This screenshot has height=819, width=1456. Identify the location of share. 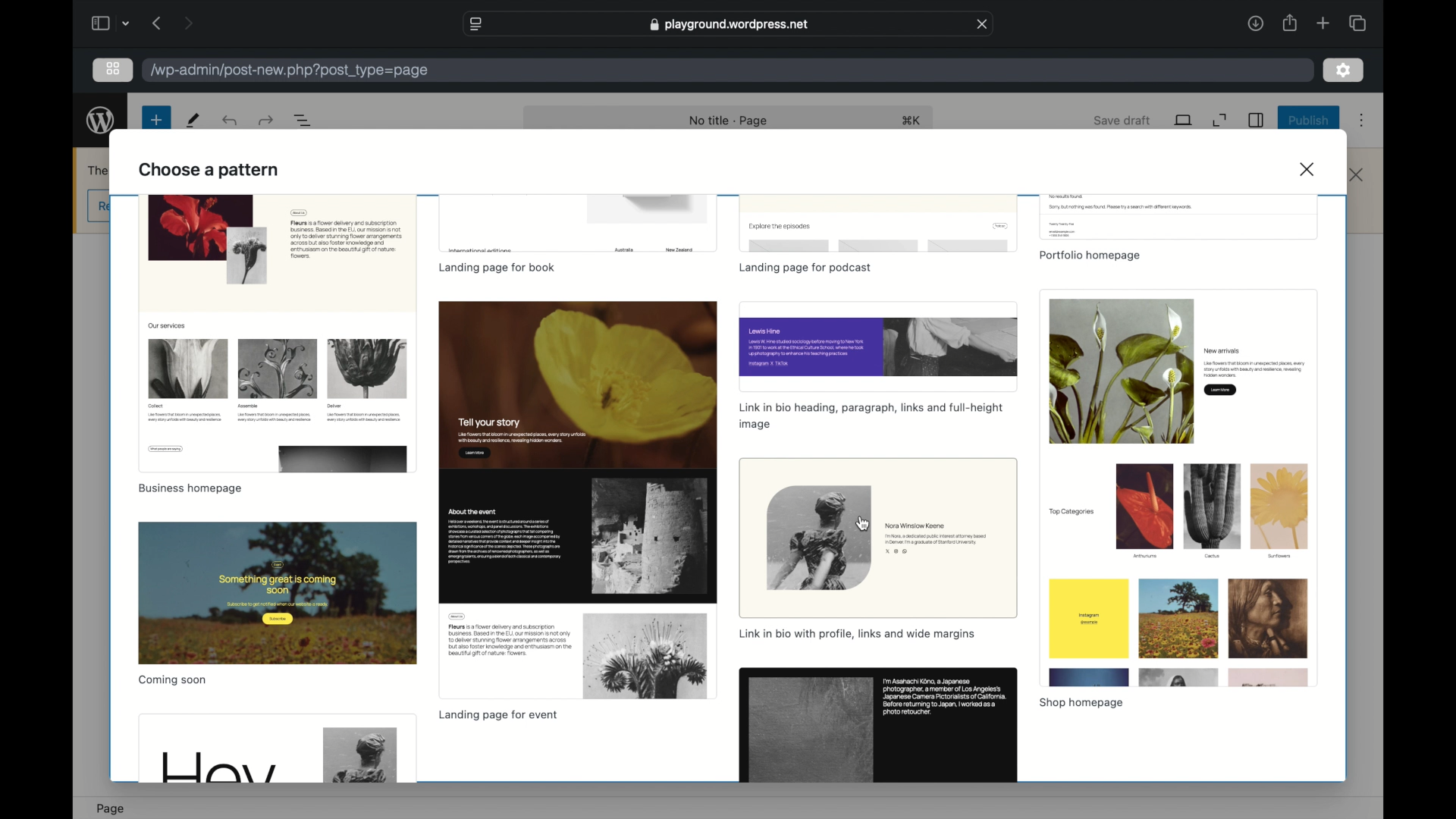
(1289, 23).